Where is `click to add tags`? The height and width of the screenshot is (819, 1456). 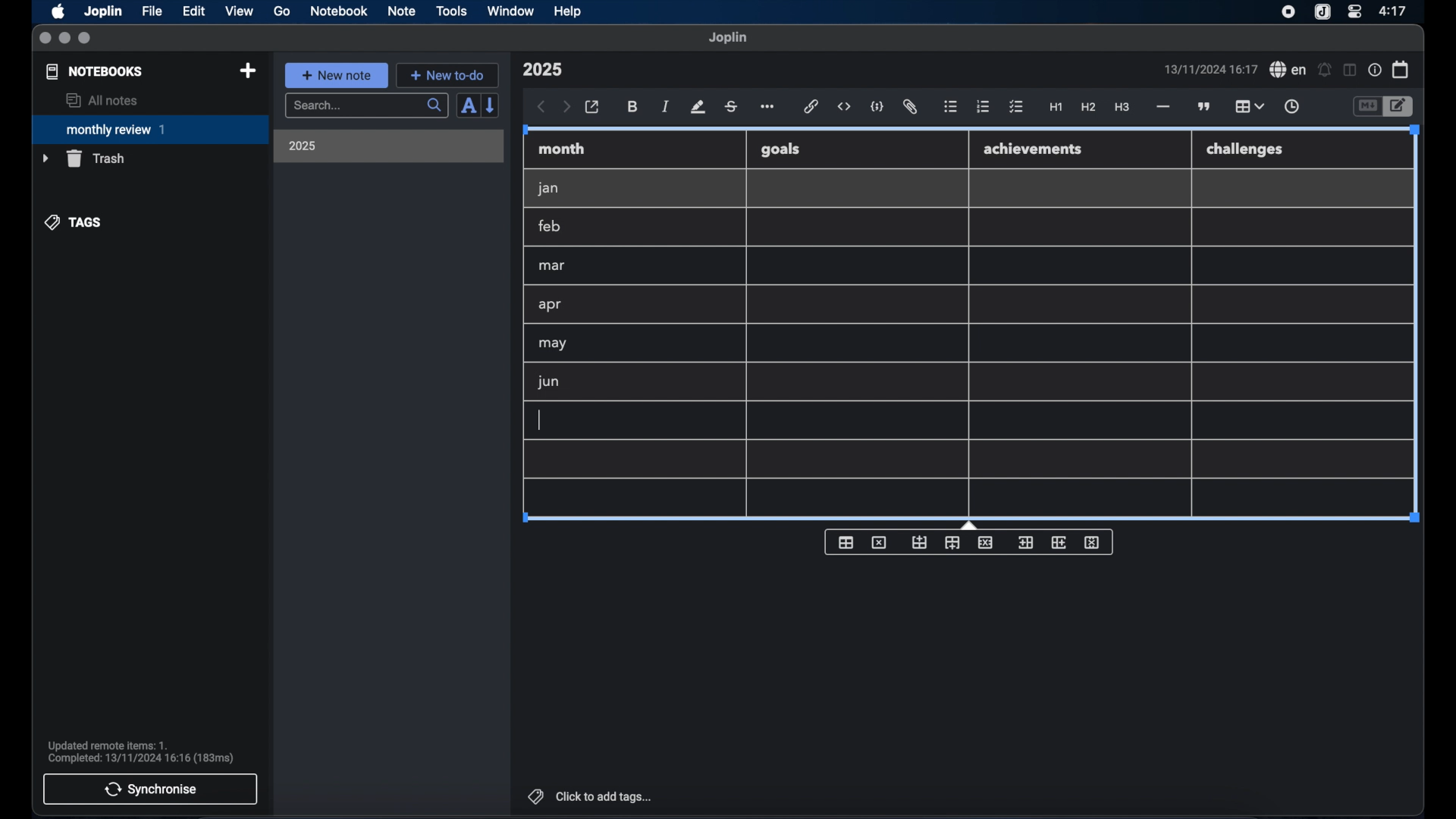
click to add tags is located at coordinates (591, 796).